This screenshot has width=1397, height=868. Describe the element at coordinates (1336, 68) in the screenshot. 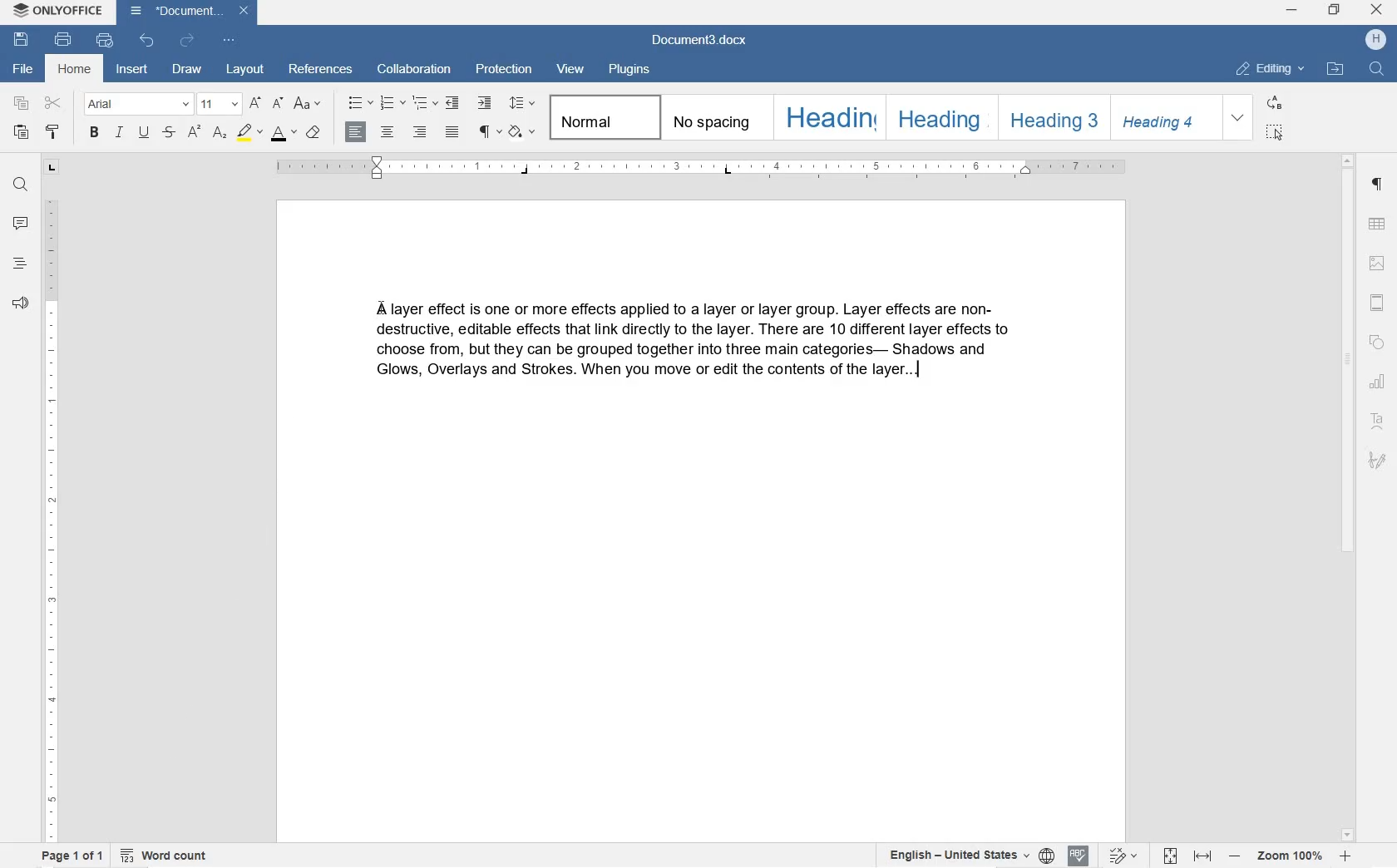

I see `OPEN FILE LOCATION` at that location.